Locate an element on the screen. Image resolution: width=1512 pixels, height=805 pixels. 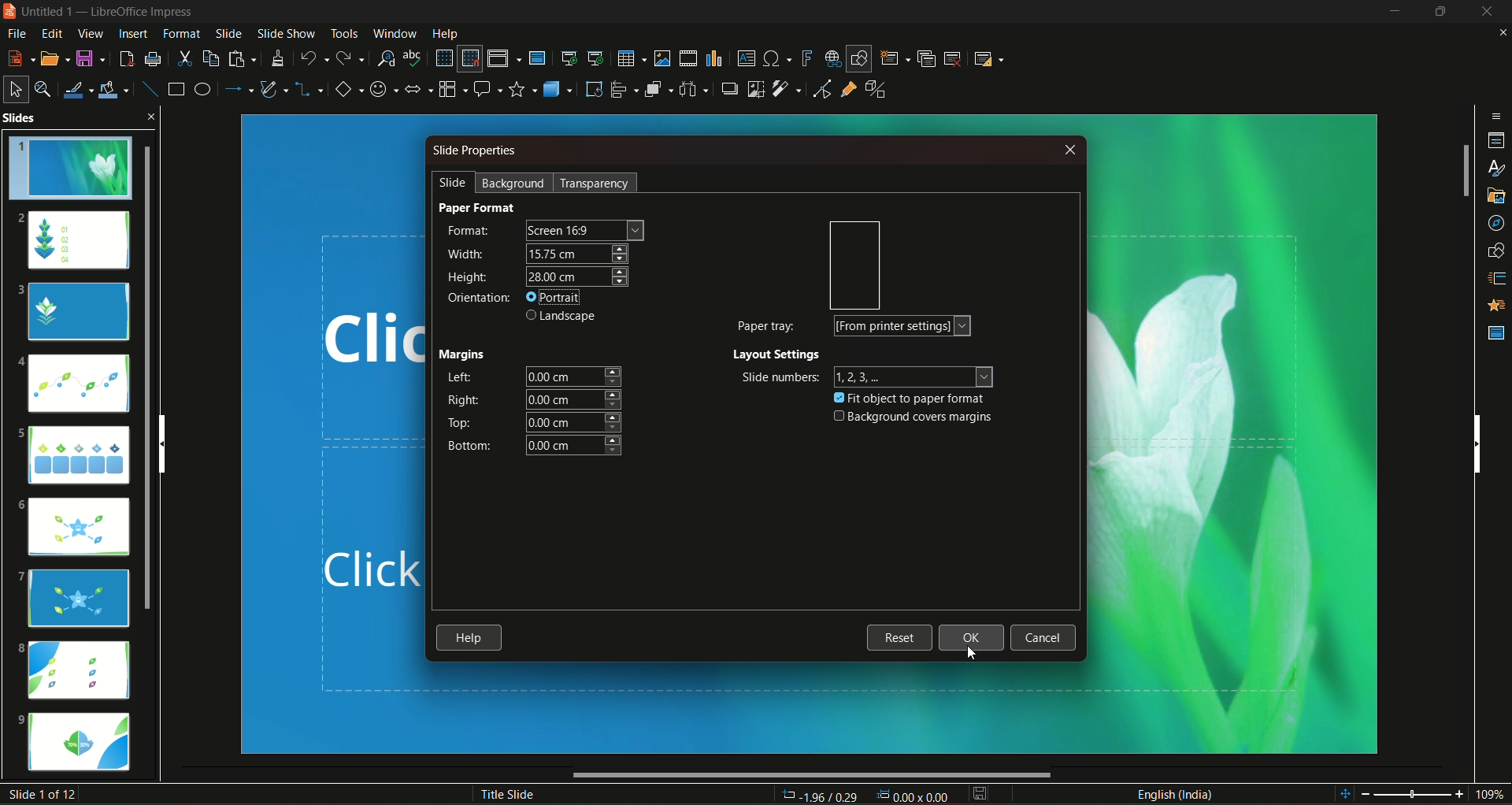
start from the first slide is located at coordinates (569, 56).